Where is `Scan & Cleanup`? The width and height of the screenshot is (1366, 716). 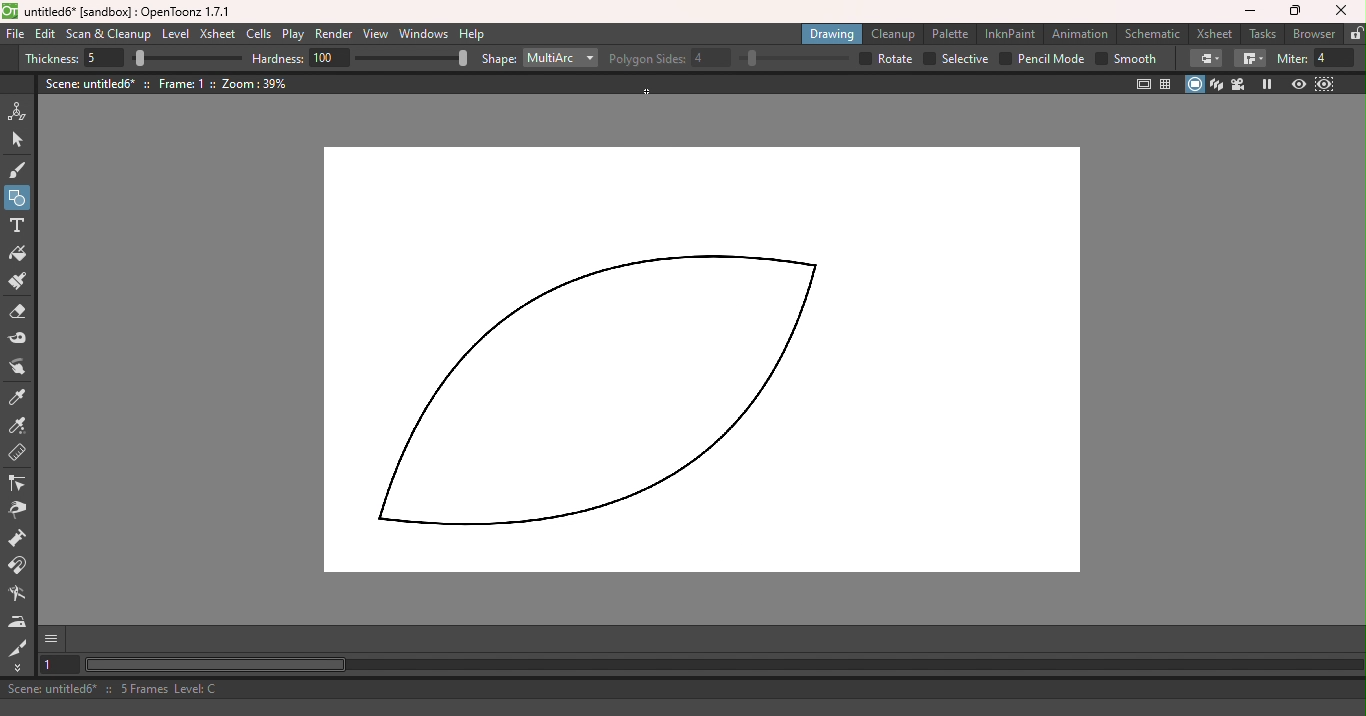 Scan & Cleanup is located at coordinates (108, 34).